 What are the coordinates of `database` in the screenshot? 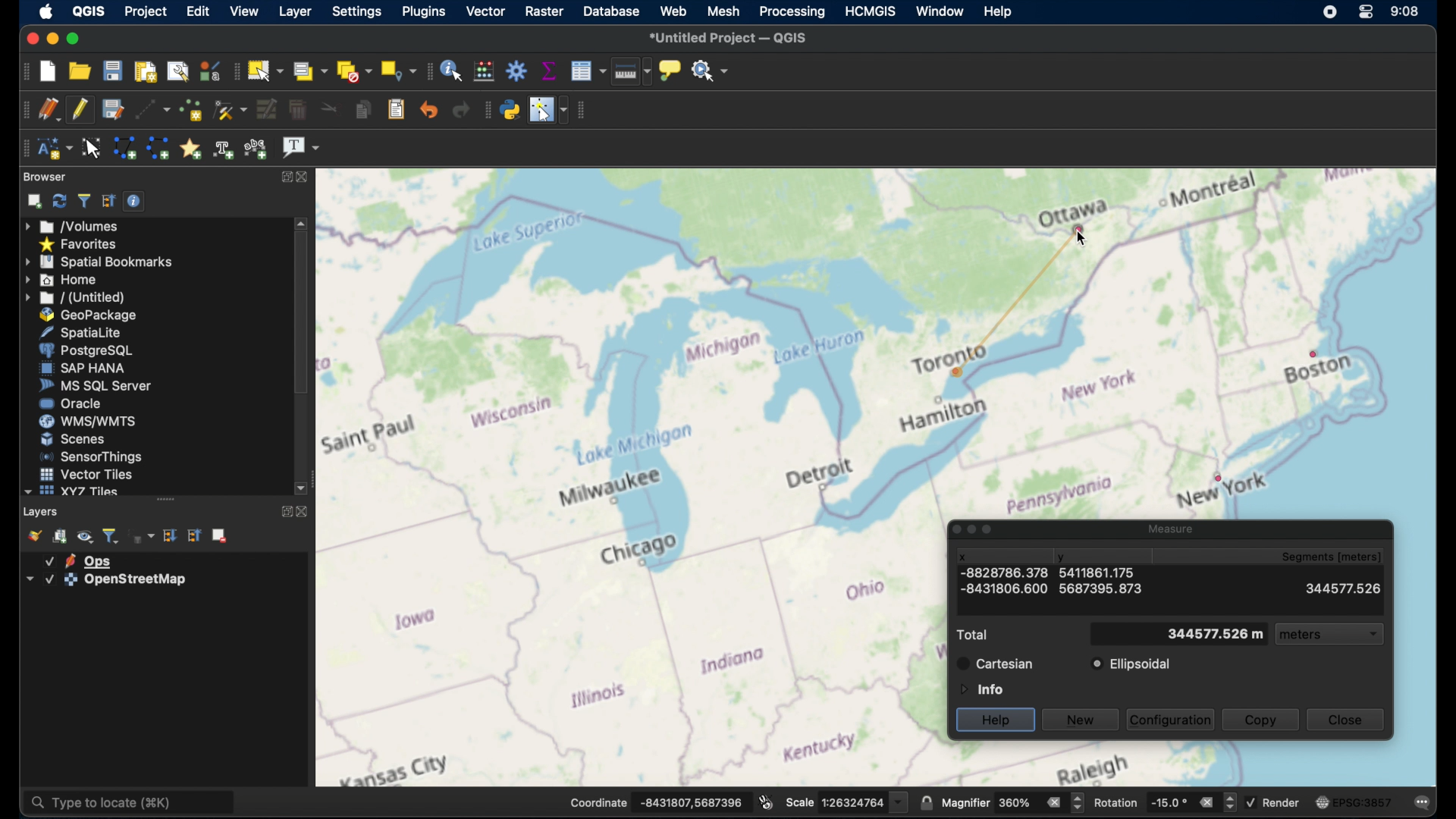 It's located at (613, 12).